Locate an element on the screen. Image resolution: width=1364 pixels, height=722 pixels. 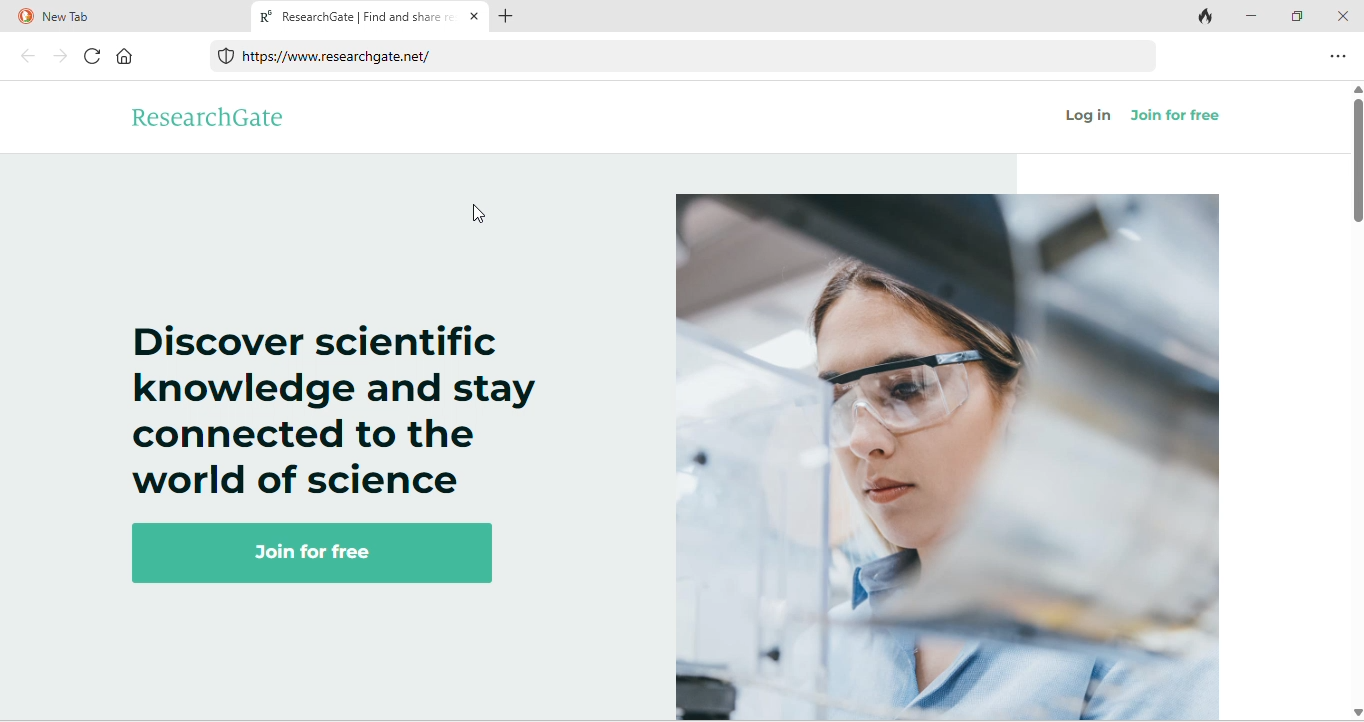
maximize is located at coordinates (1300, 15).